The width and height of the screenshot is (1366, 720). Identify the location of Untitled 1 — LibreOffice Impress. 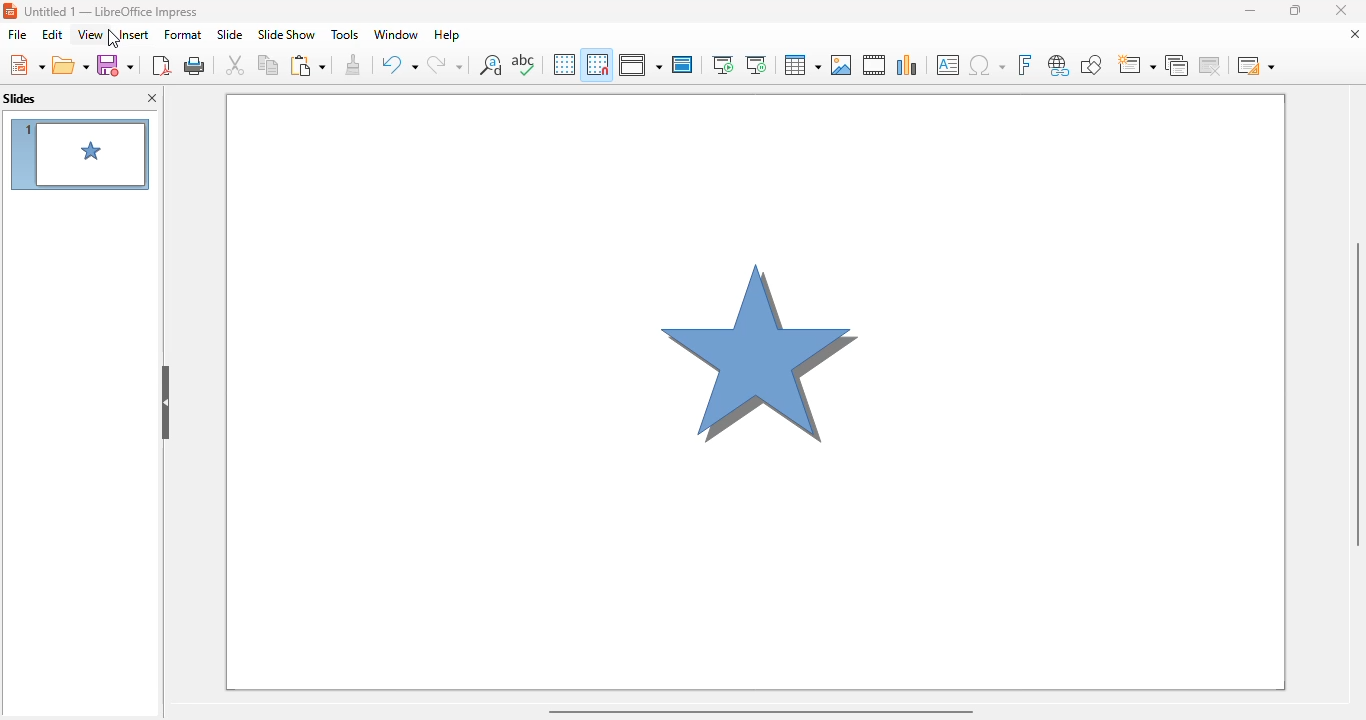
(120, 12).